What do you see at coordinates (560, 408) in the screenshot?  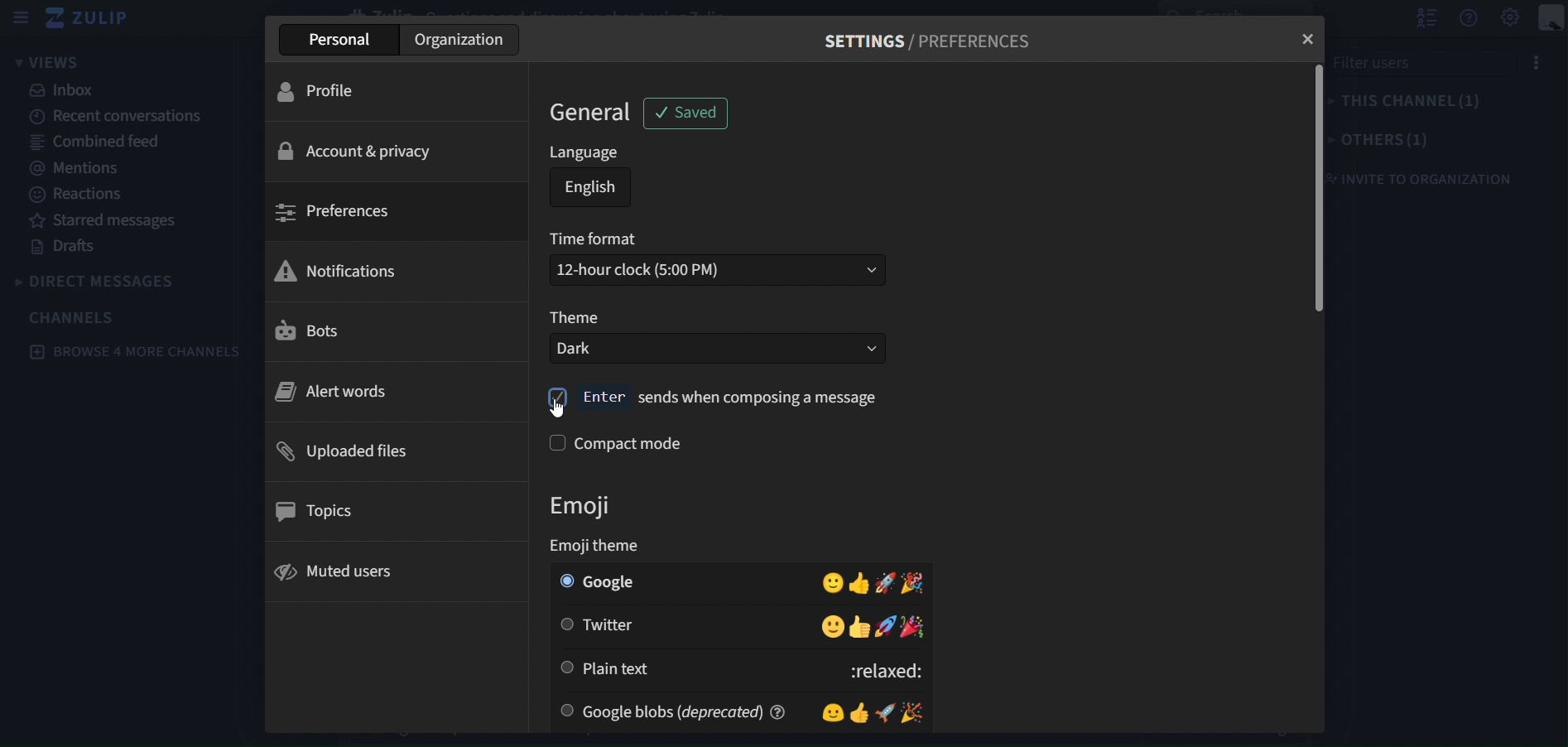 I see `Cursor` at bounding box center [560, 408].